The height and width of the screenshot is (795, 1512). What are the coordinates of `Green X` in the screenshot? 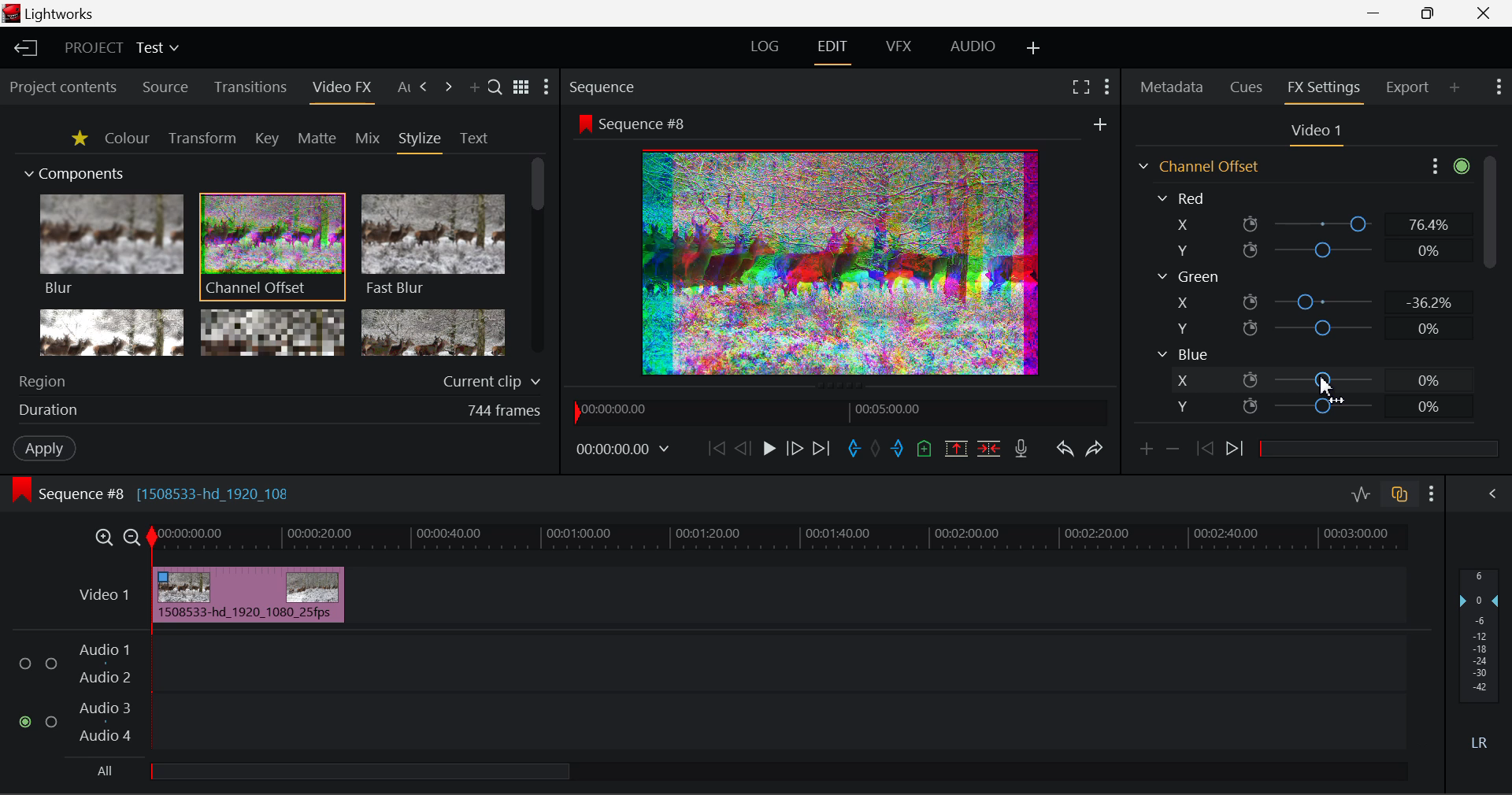 It's located at (1310, 301).